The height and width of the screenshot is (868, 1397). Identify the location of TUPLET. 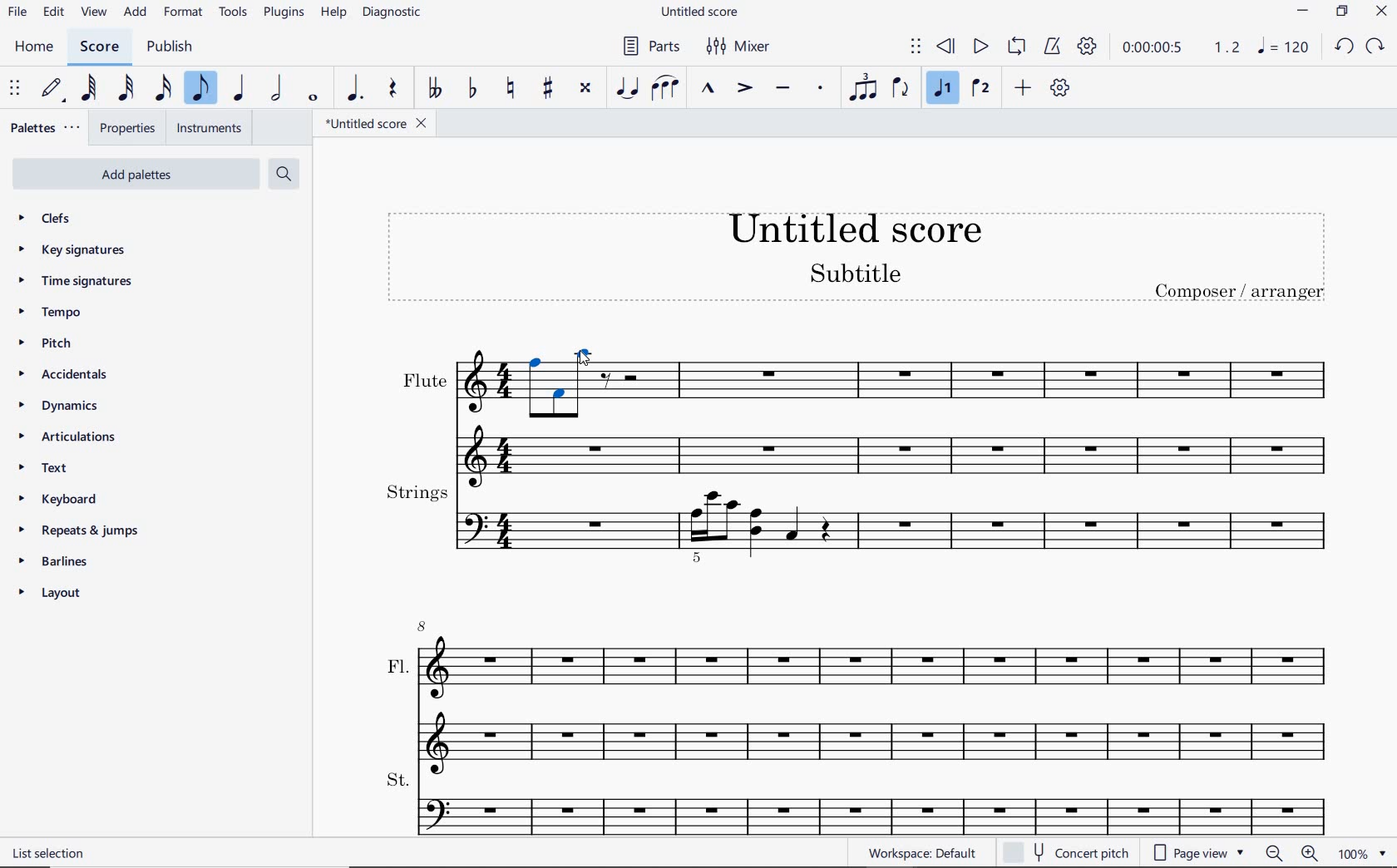
(861, 86).